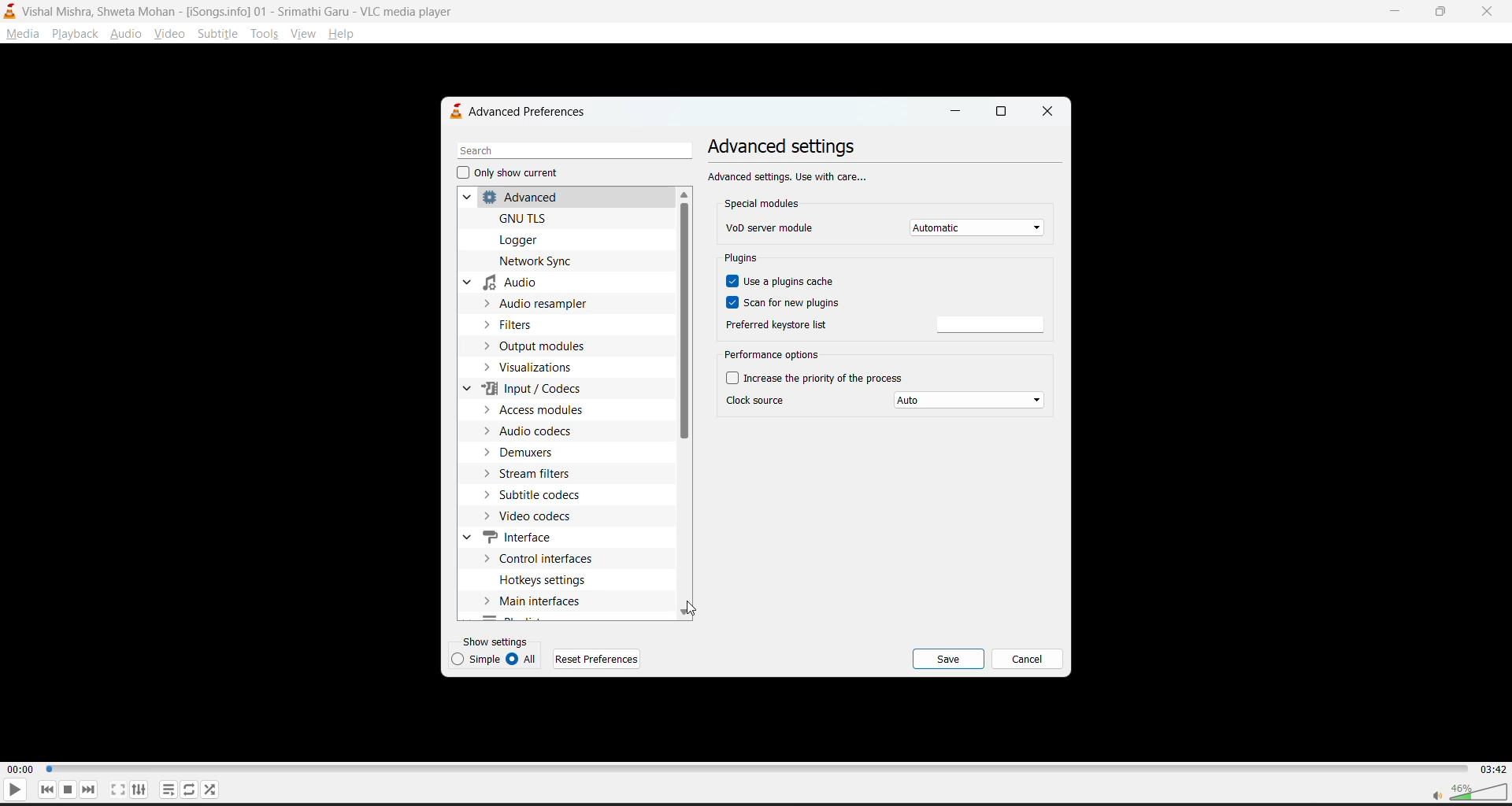  What do you see at coordinates (540, 369) in the screenshot?
I see `visualizations` at bounding box center [540, 369].